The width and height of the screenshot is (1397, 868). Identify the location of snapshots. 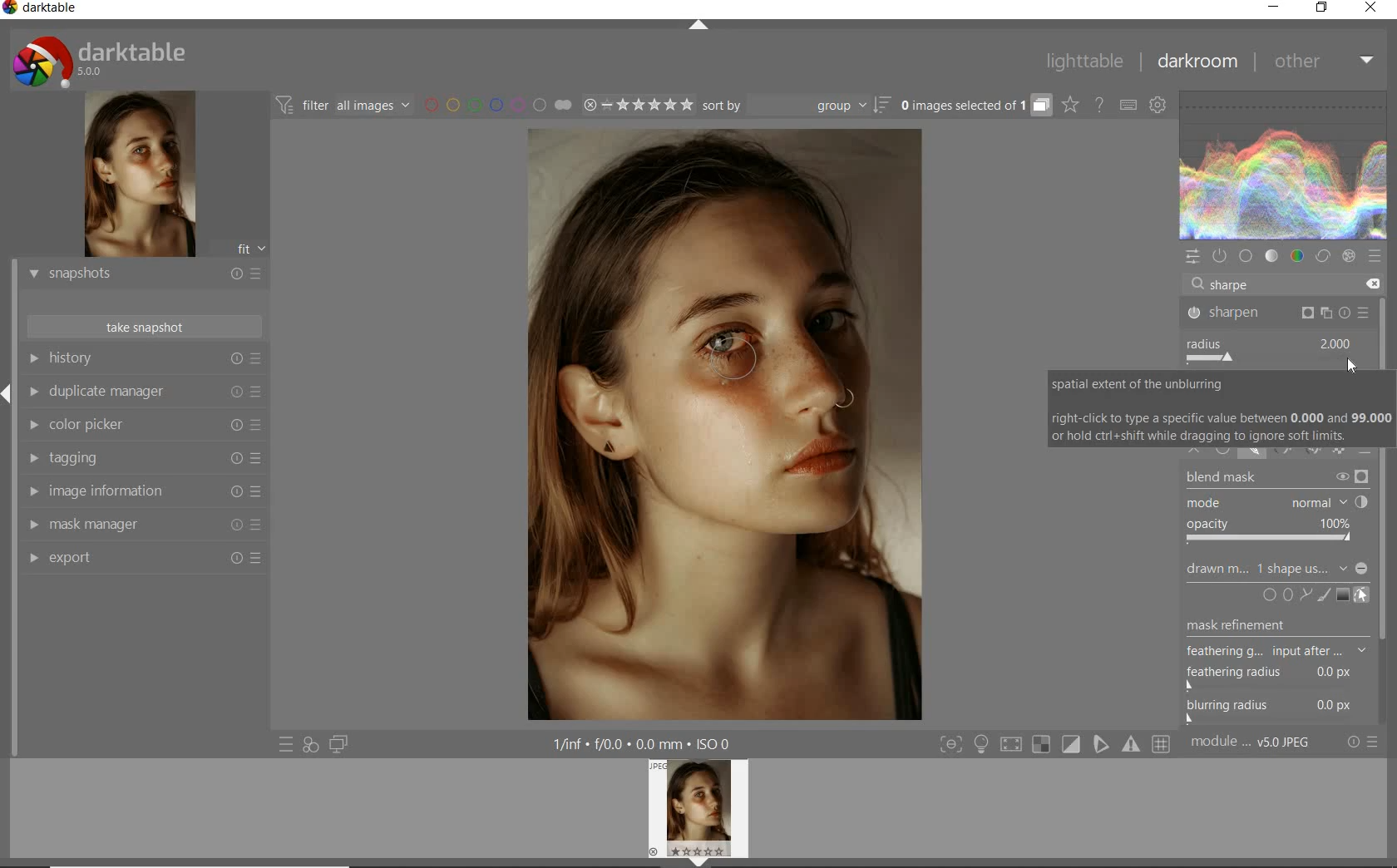
(144, 275).